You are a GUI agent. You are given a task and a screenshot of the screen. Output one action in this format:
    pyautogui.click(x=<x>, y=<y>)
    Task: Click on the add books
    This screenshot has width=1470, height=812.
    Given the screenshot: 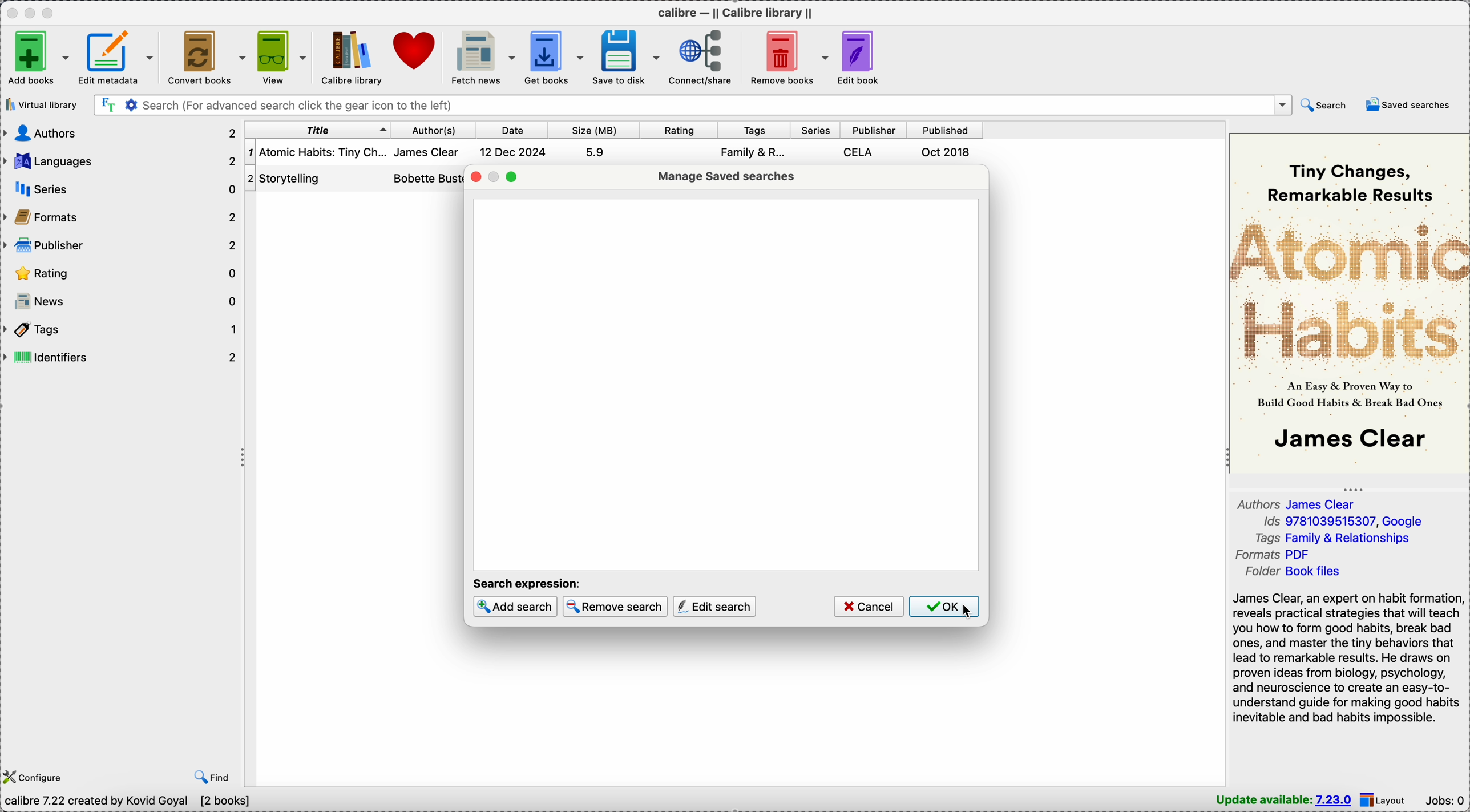 What is the action you would take?
    pyautogui.click(x=38, y=58)
    